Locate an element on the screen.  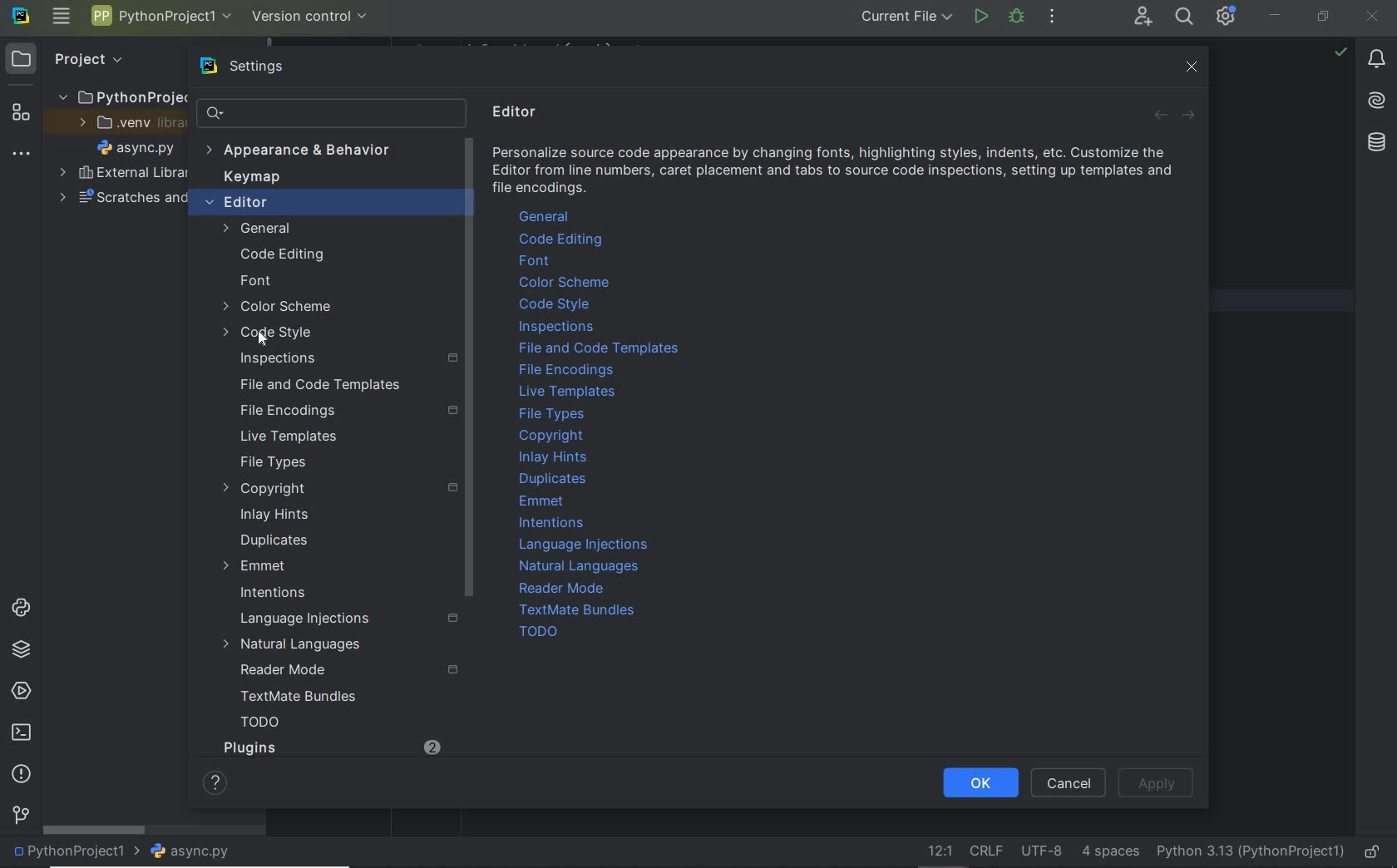
File and Code Templates is located at coordinates (313, 384).